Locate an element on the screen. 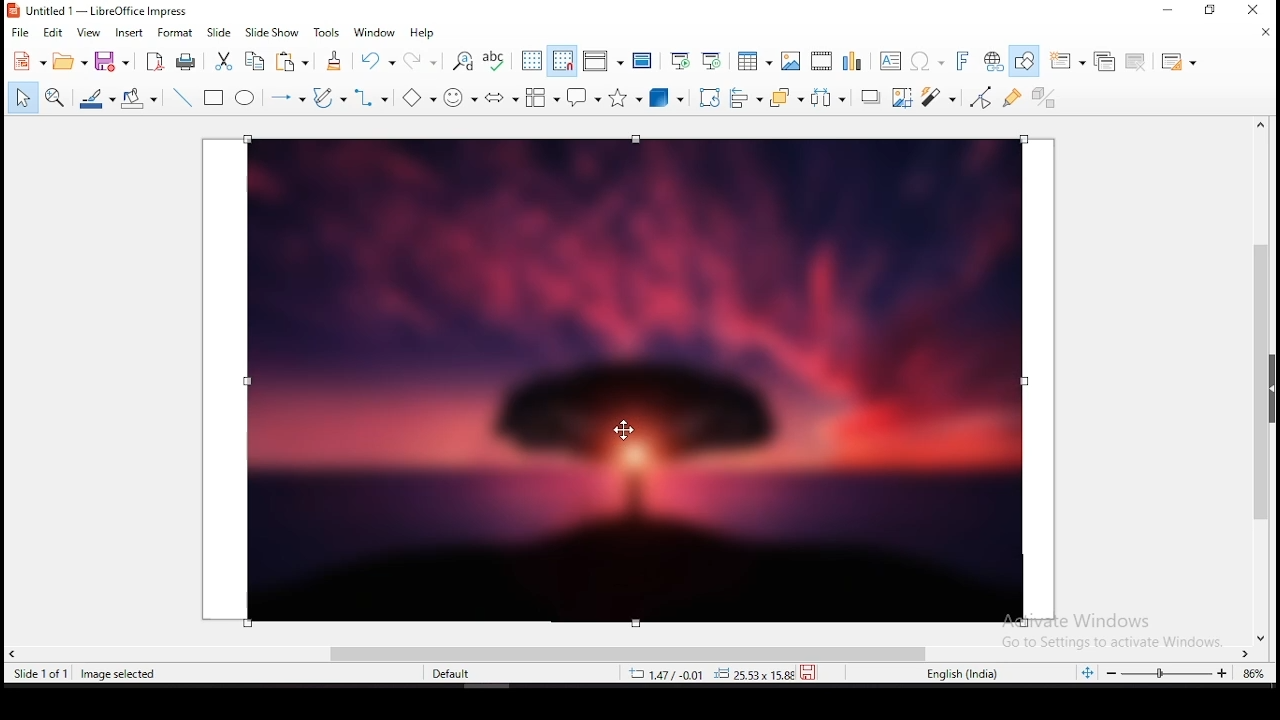 The height and width of the screenshot is (720, 1280). undo is located at coordinates (379, 61).